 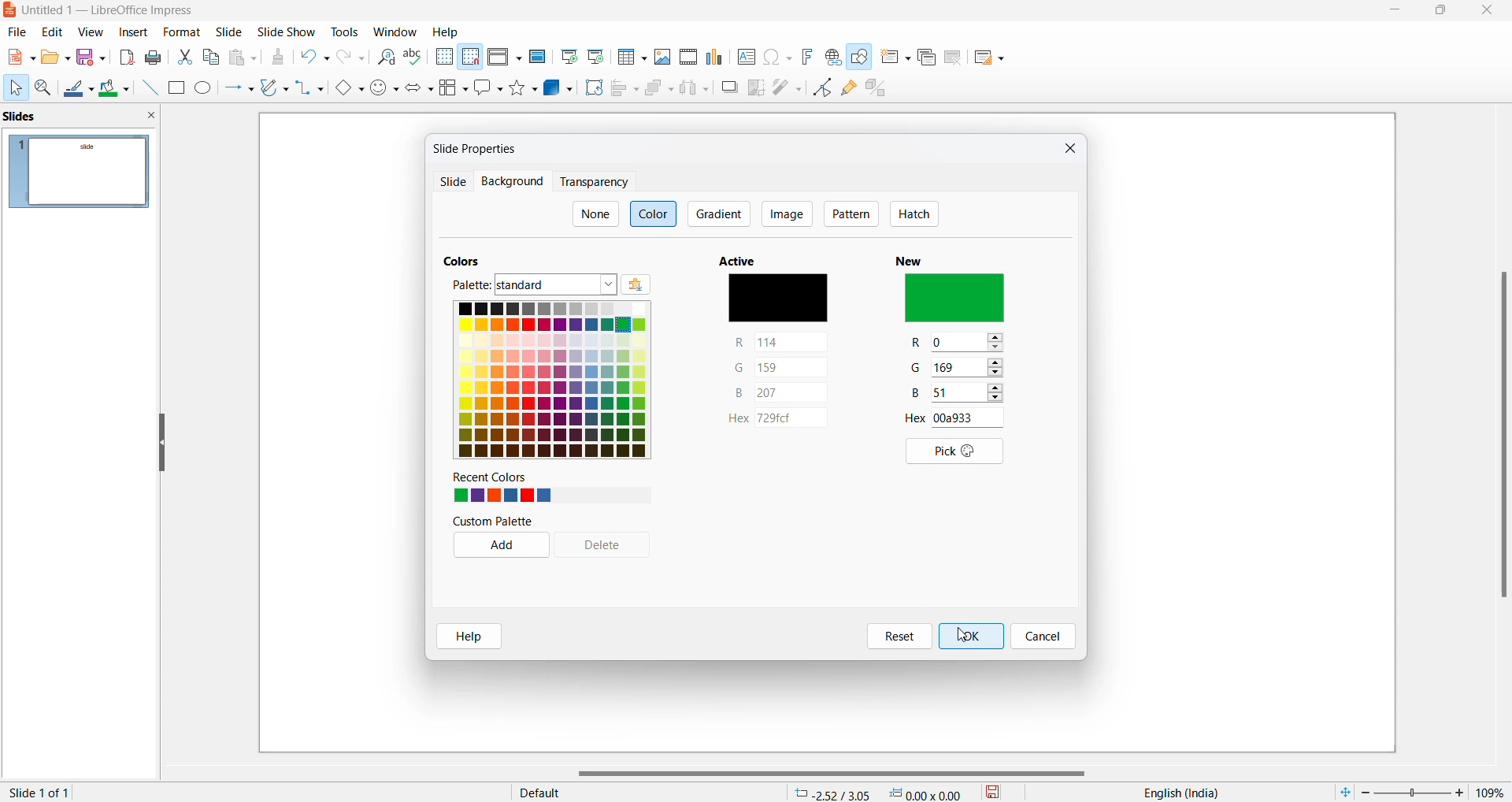 I want to click on align, so click(x=625, y=89).